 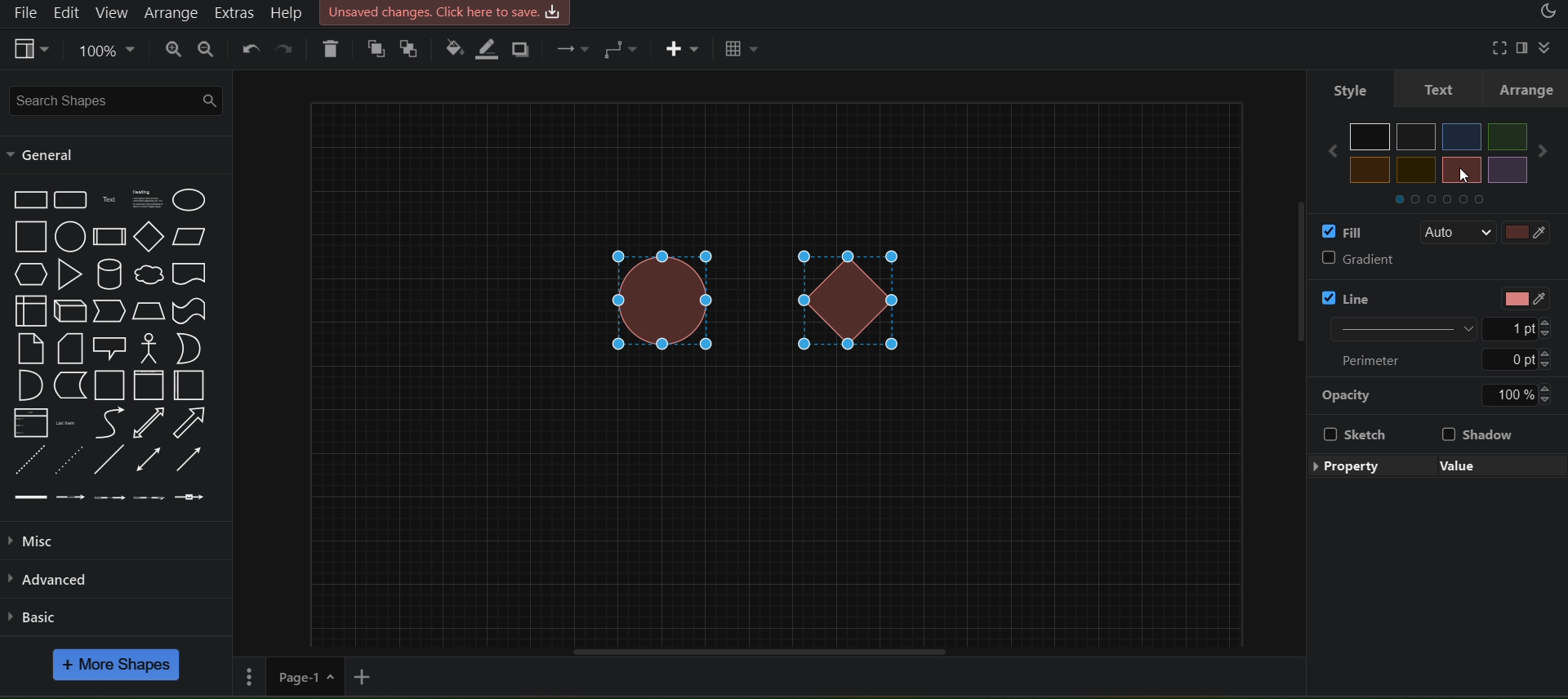 What do you see at coordinates (332, 50) in the screenshot?
I see `delete` at bounding box center [332, 50].